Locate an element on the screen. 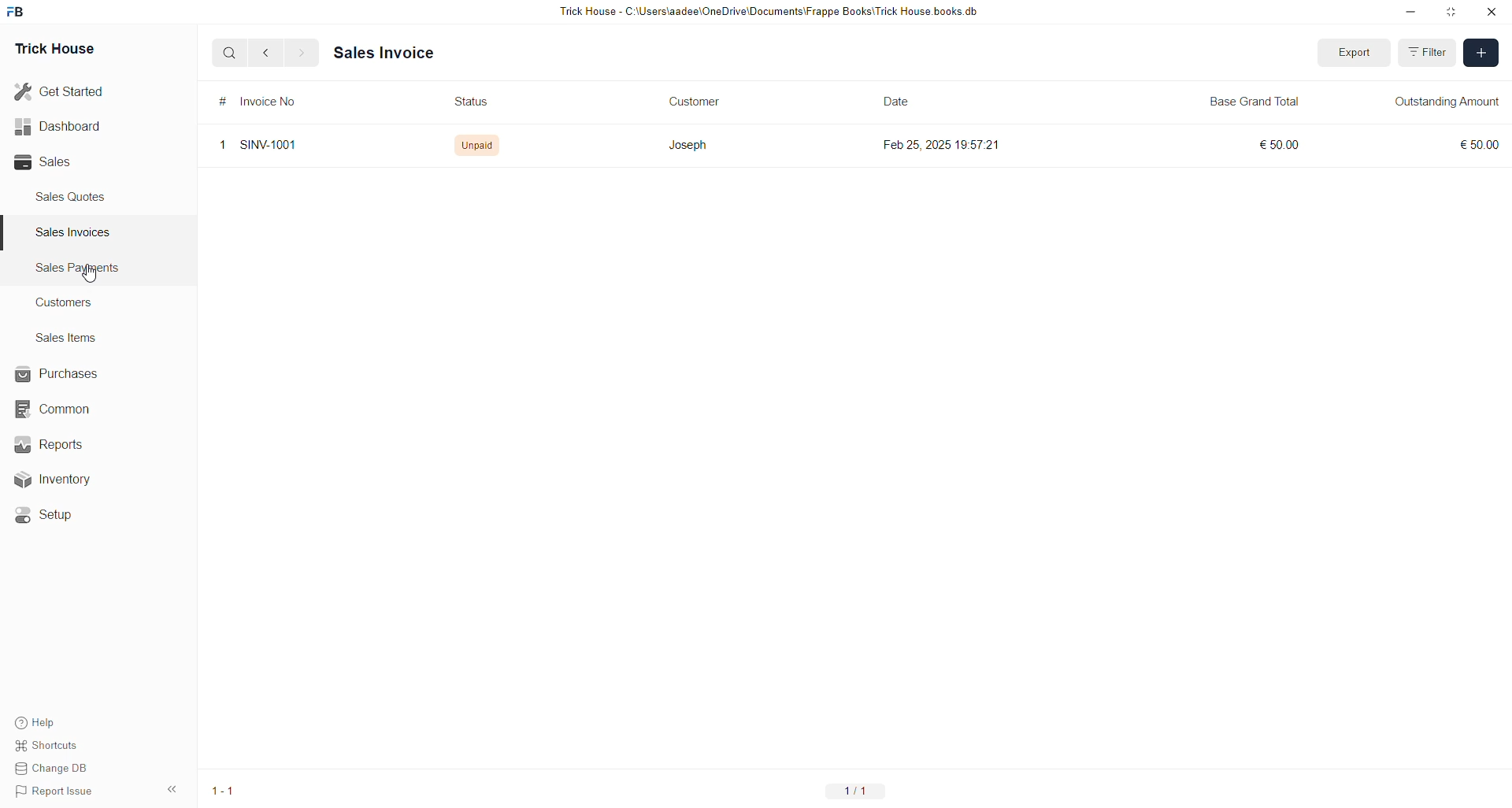 This screenshot has width=1512, height=808. Sales Quotes. is located at coordinates (72, 196).